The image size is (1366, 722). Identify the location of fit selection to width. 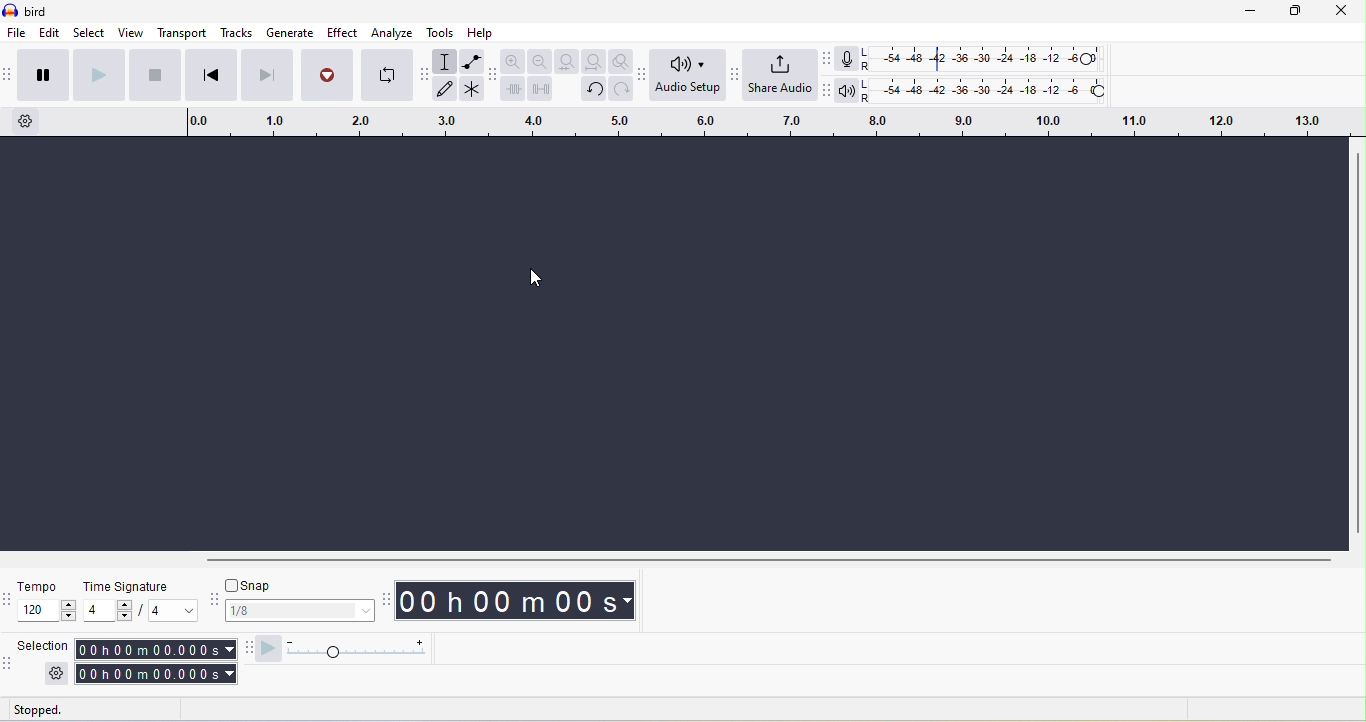
(567, 63).